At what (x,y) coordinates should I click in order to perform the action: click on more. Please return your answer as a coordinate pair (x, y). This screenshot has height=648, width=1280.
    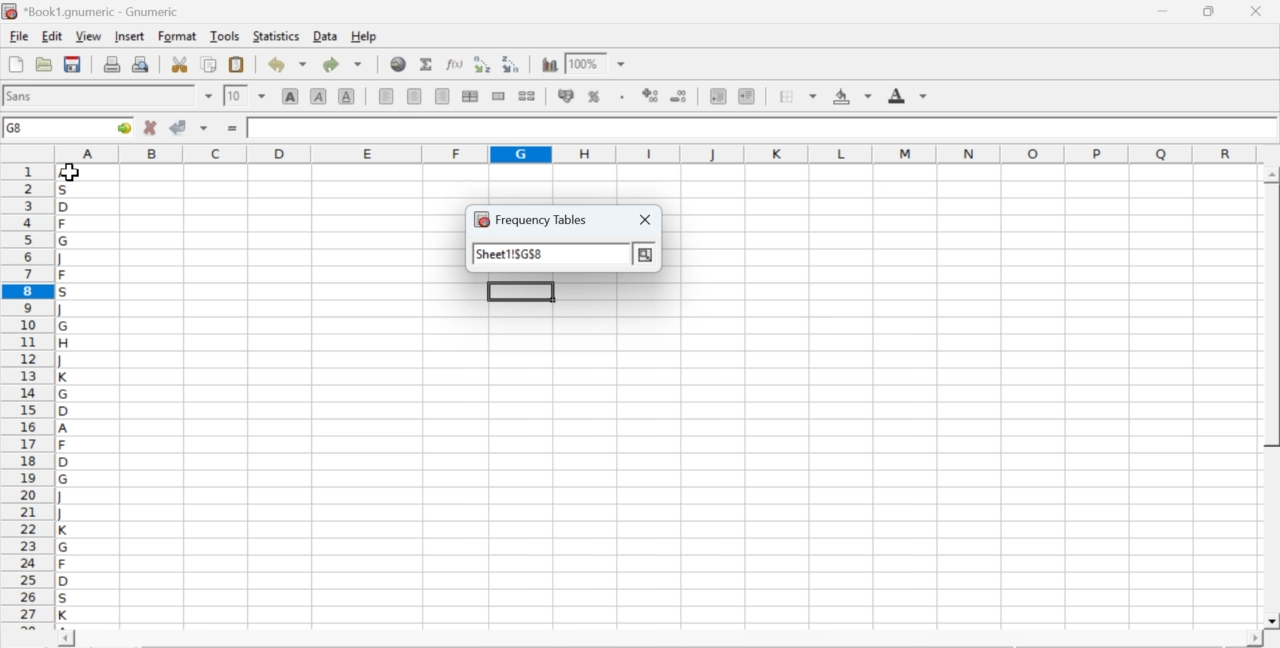
    Looking at the image, I should click on (646, 254).